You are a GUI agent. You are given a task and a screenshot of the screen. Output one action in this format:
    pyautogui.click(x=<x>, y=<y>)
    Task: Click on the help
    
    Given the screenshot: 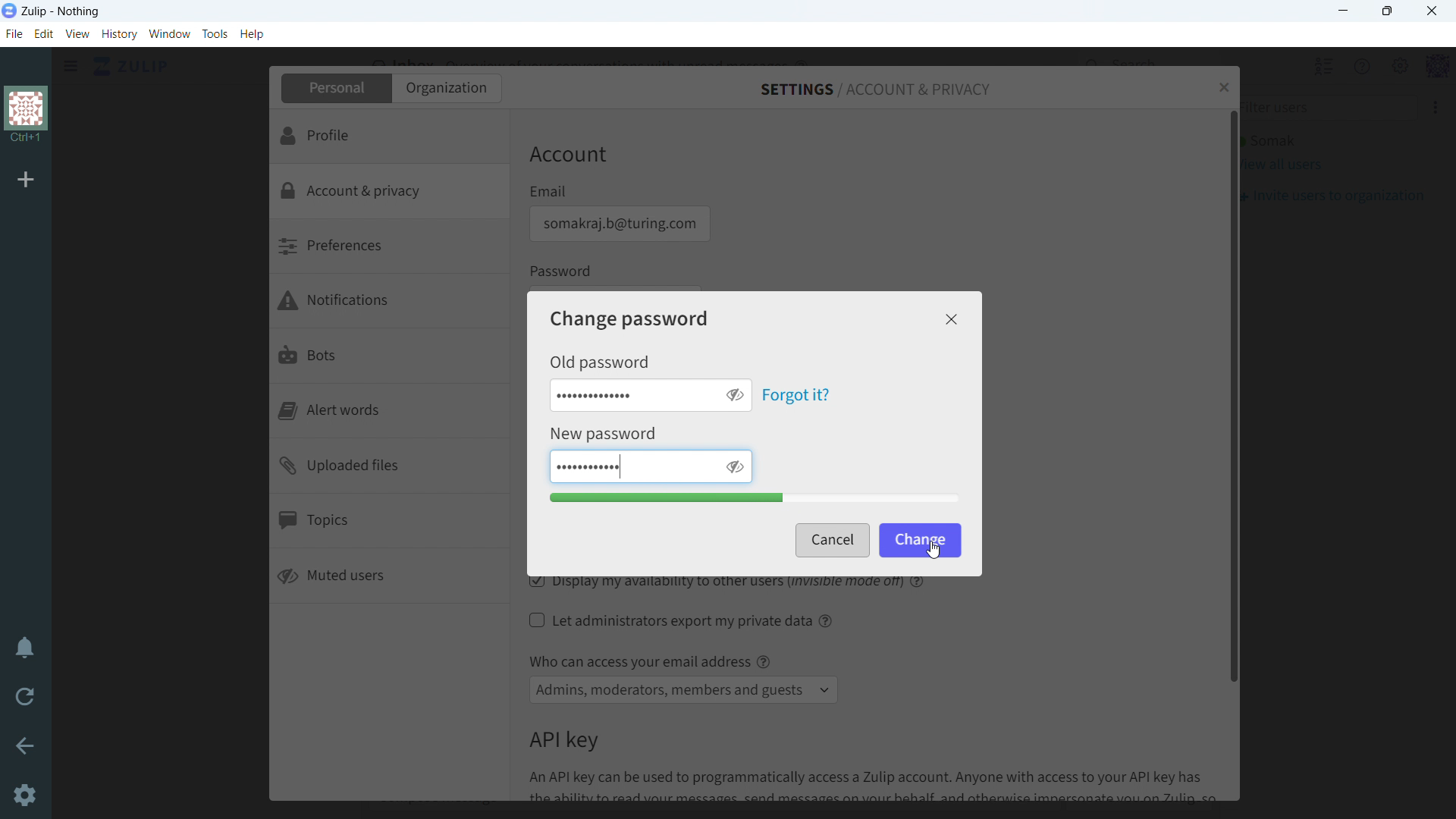 What is the action you would take?
    pyautogui.click(x=252, y=33)
    